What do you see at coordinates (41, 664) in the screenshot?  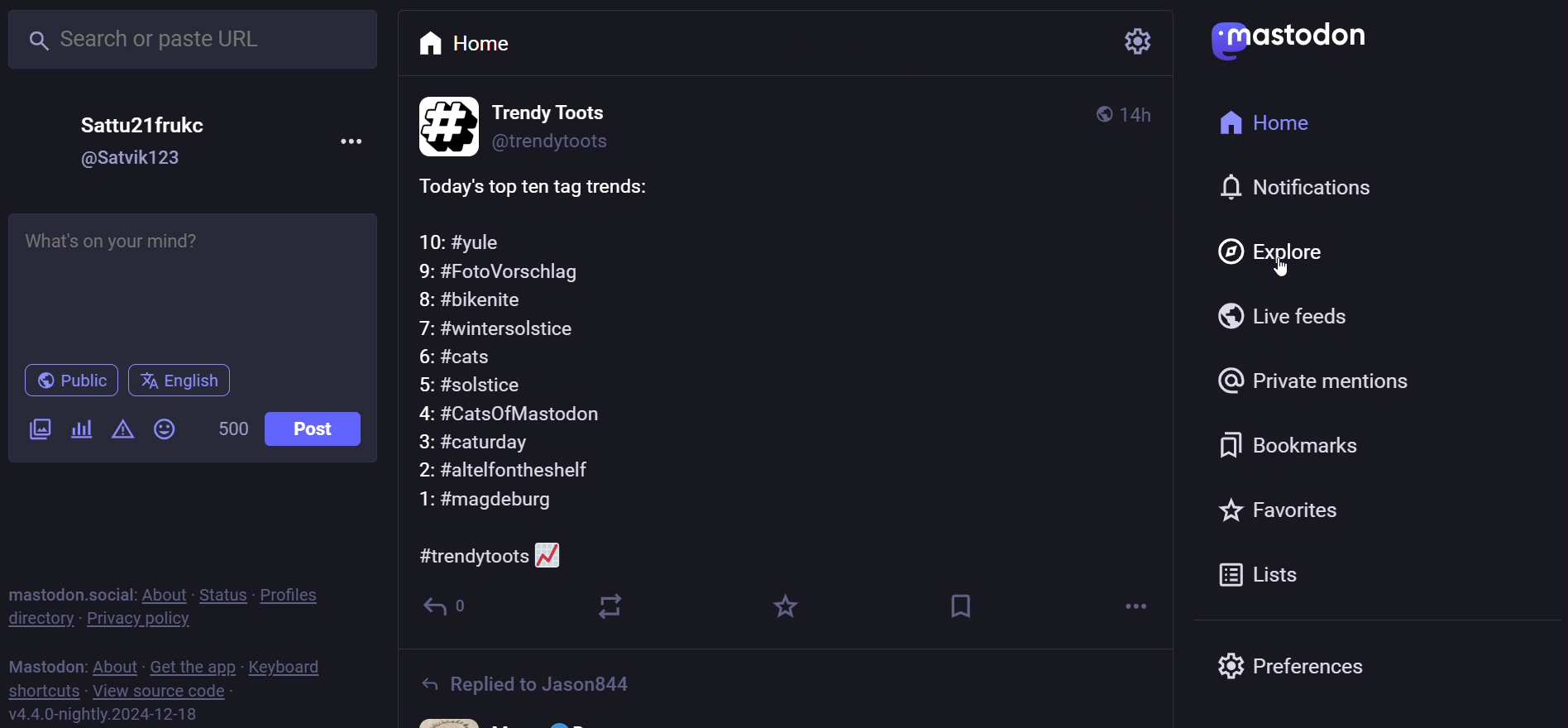 I see `mastodon` at bounding box center [41, 664].